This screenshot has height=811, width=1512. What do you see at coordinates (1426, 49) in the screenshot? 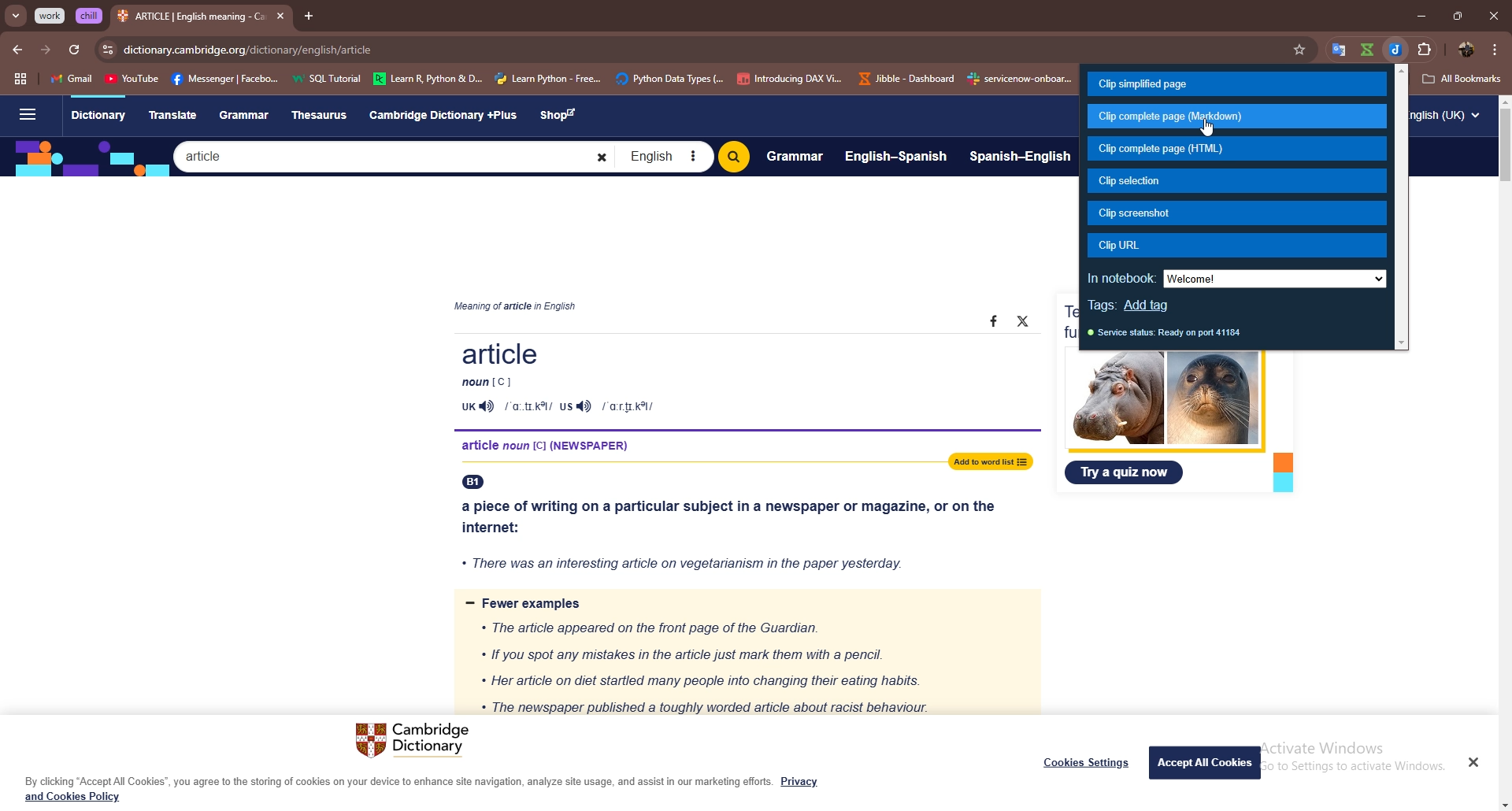
I see `extensions` at bounding box center [1426, 49].